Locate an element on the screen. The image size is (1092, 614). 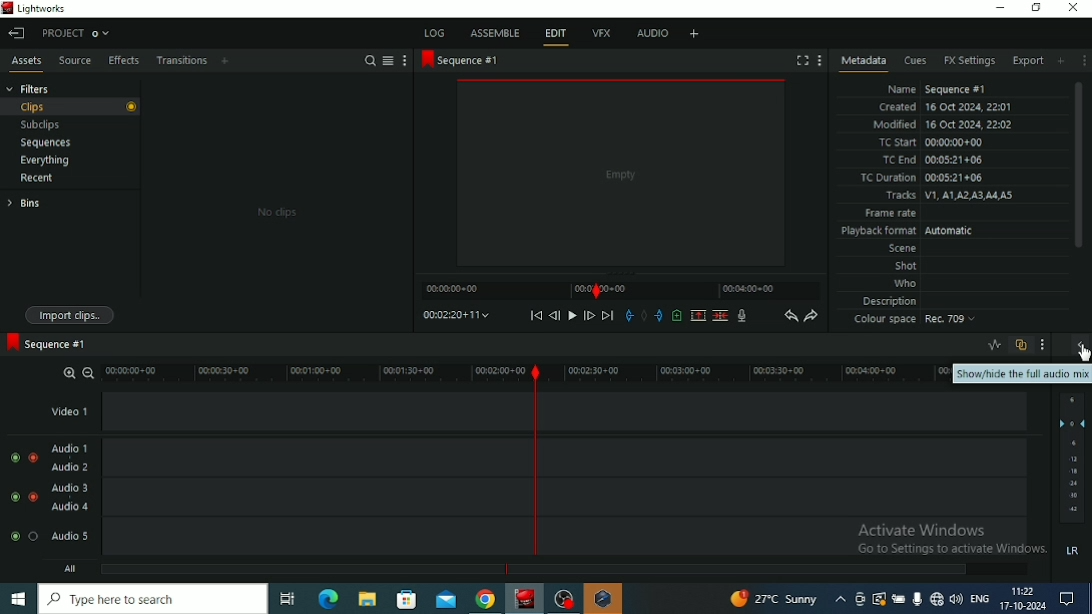
Task View is located at coordinates (288, 599).